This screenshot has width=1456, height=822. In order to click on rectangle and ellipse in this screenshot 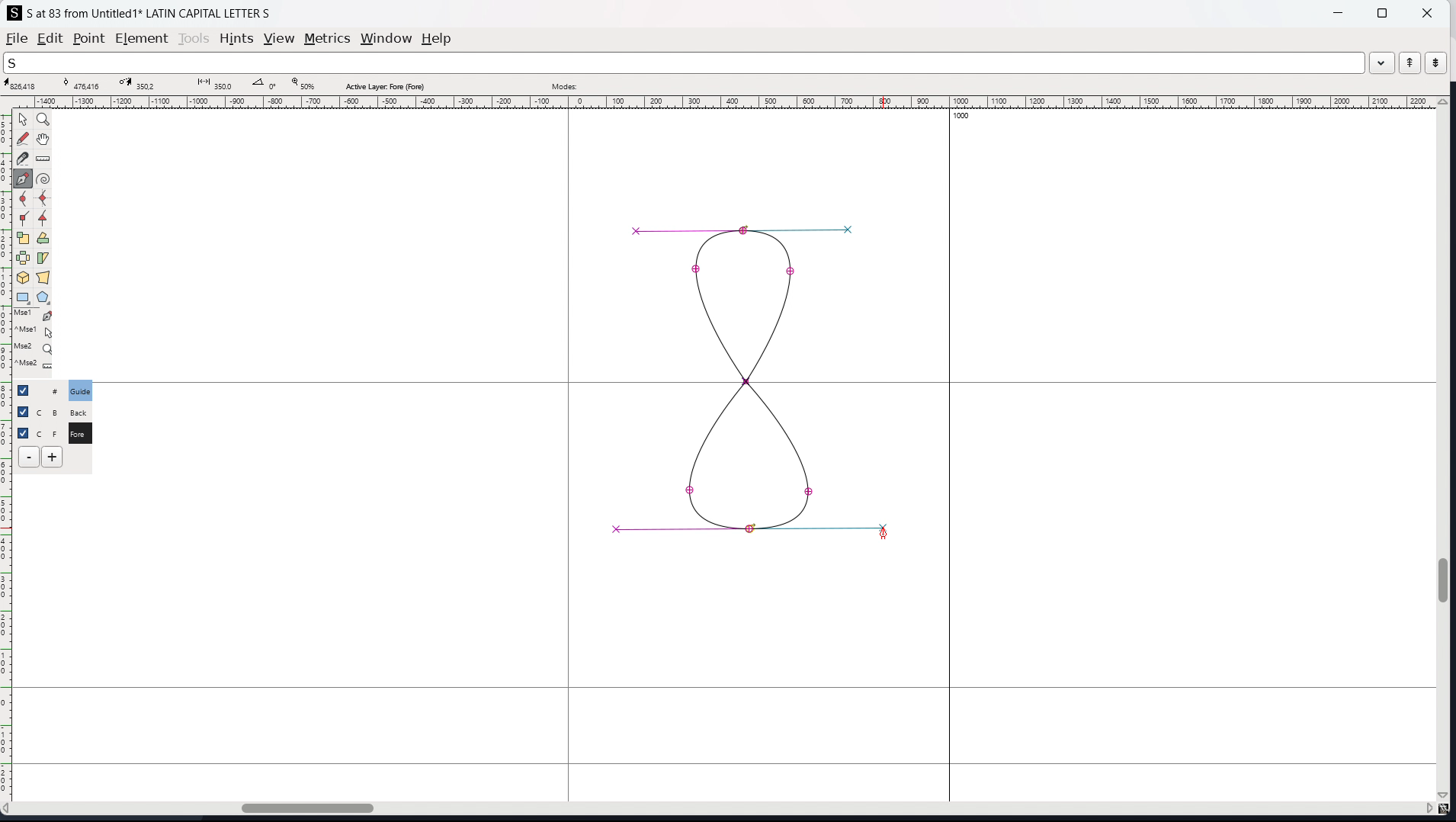, I will do `click(24, 298)`.